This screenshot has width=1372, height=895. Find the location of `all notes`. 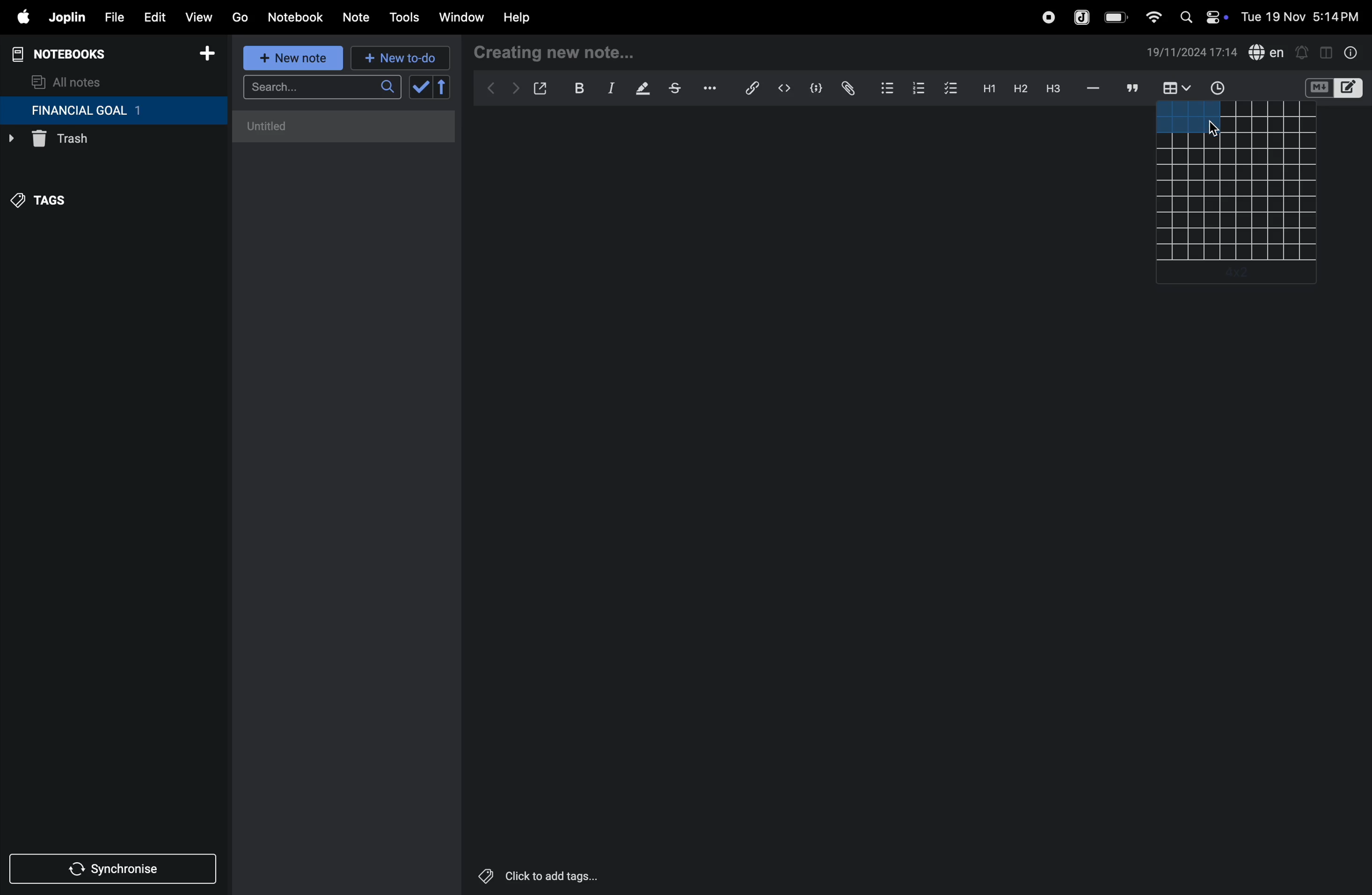

all notes is located at coordinates (67, 81).